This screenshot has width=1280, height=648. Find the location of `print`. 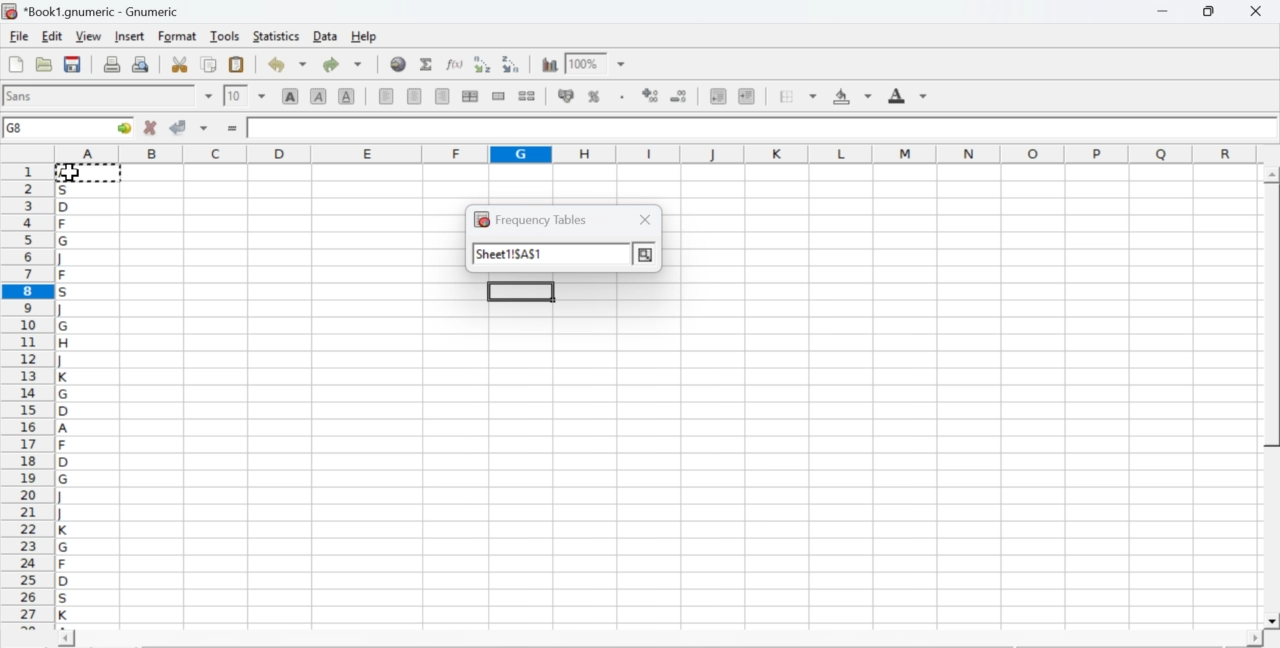

print is located at coordinates (112, 63).